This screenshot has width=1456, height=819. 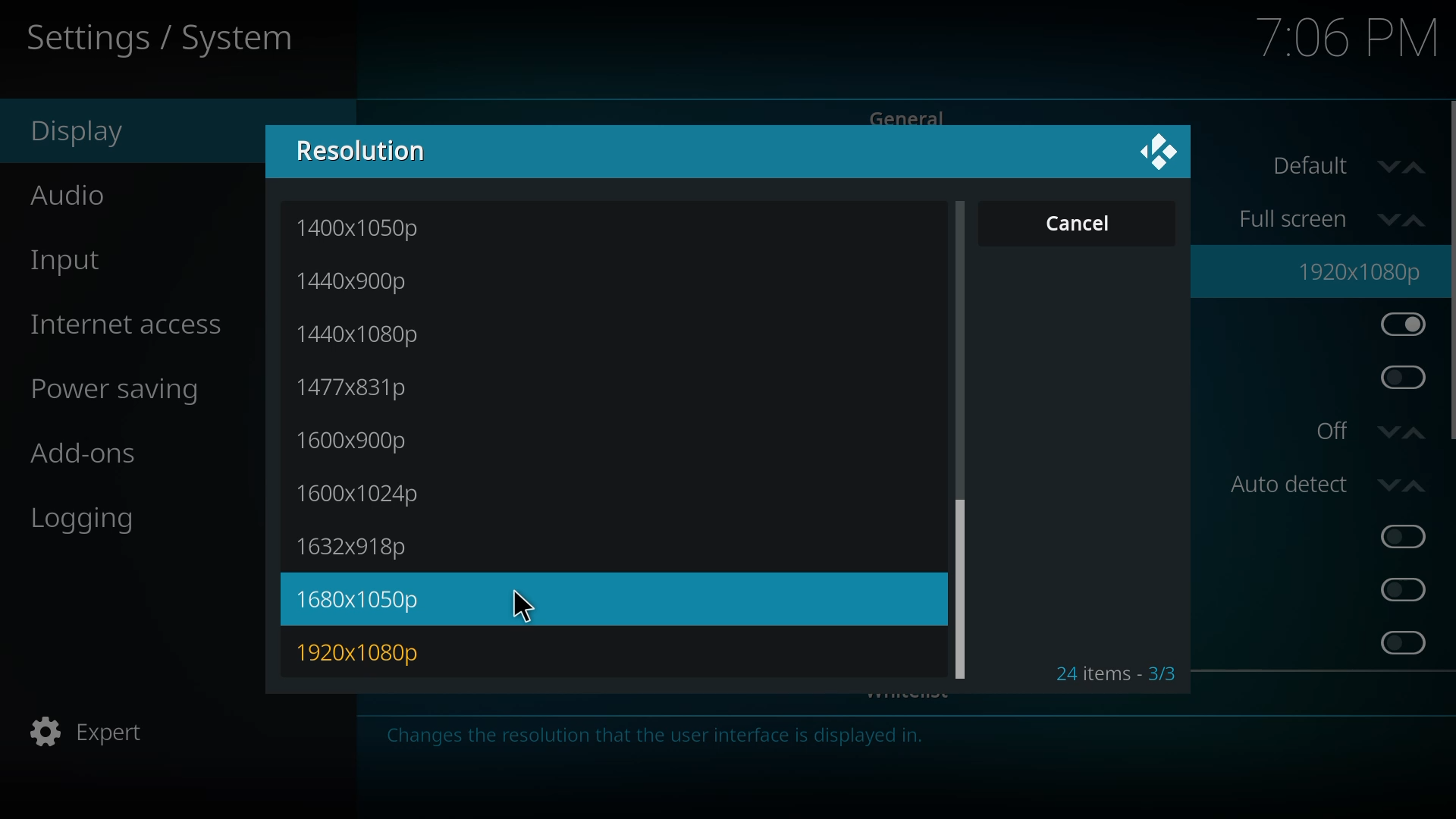 I want to click on enabled, so click(x=1404, y=326).